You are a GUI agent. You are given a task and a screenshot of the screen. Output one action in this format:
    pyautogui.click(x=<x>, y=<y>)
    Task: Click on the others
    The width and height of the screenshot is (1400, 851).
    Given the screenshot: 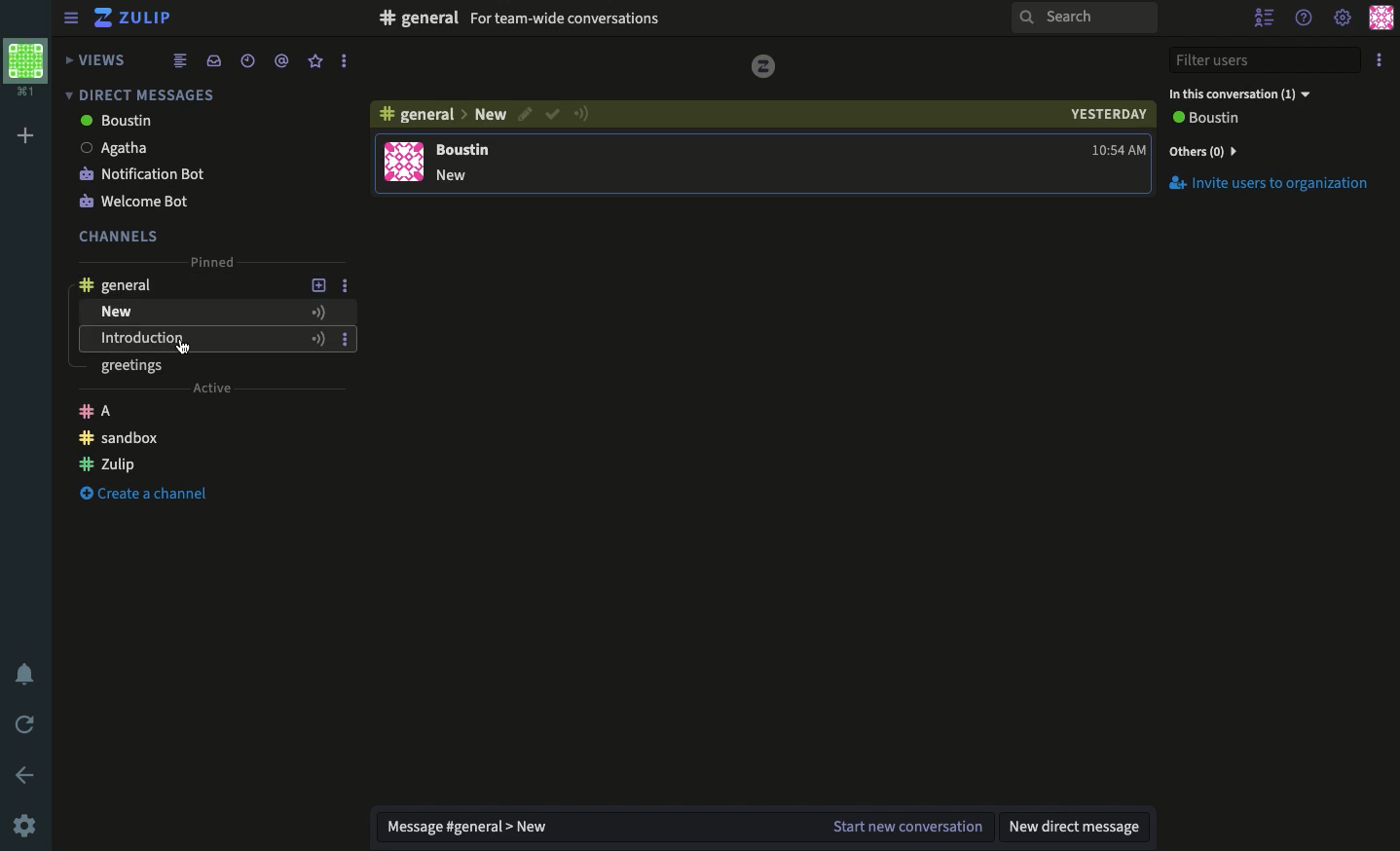 What is the action you would take?
    pyautogui.click(x=1204, y=150)
    